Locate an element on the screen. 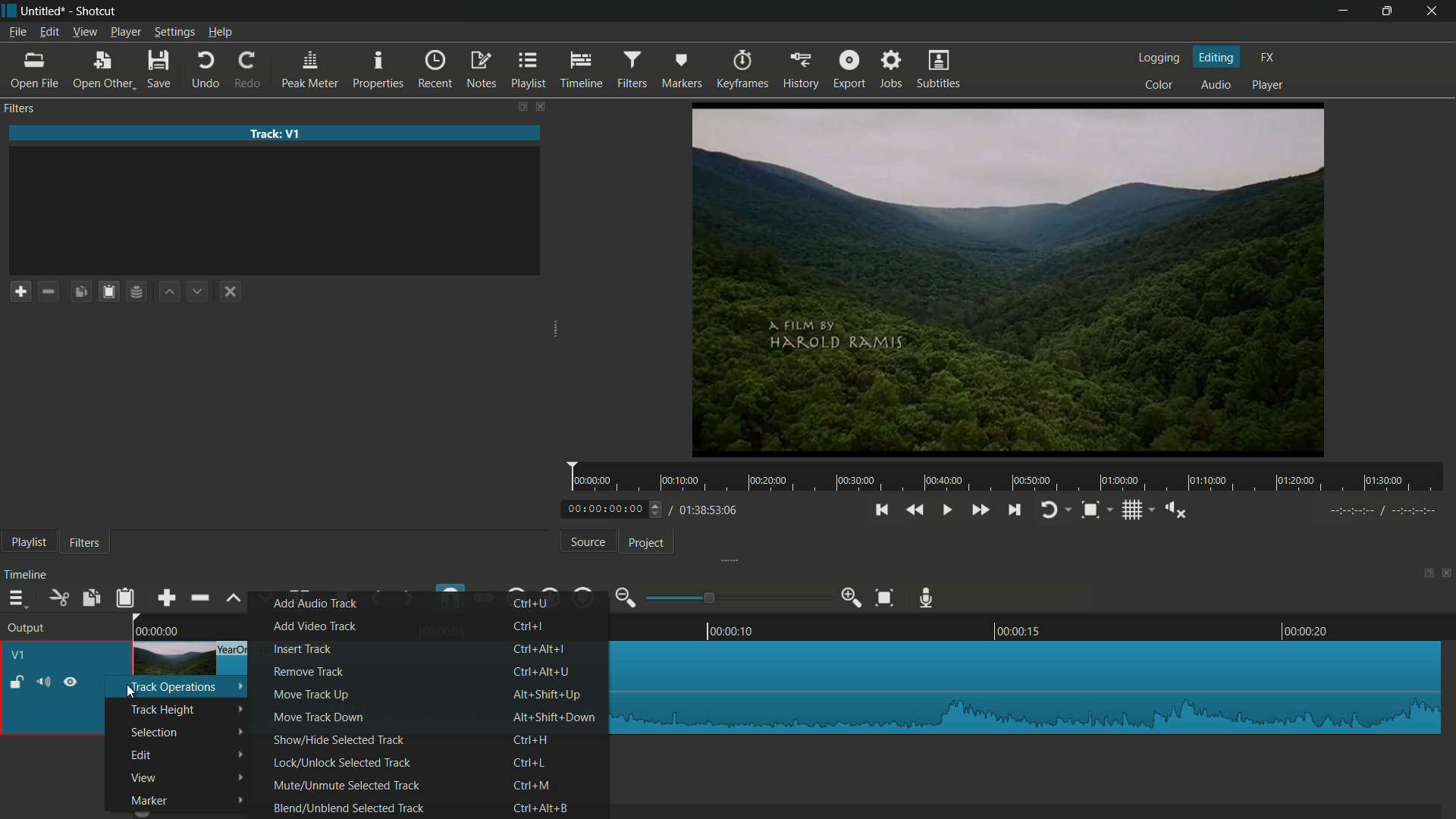 The width and height of the screenshot is (1456, 819). blend/unblend selected track is located at coordinates (349, 807).